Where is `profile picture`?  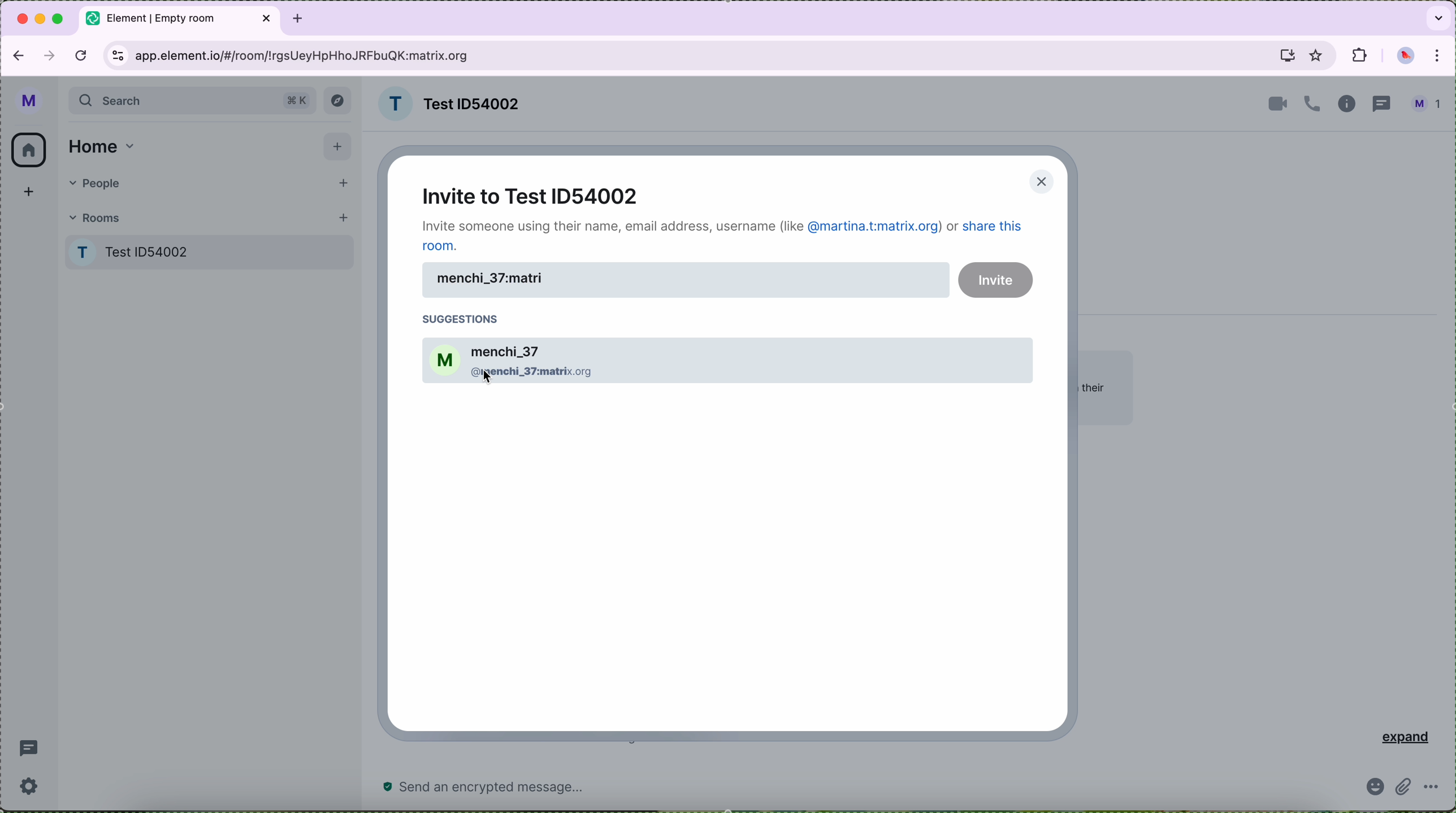
profile picture is located at coordinates (1408, 56).